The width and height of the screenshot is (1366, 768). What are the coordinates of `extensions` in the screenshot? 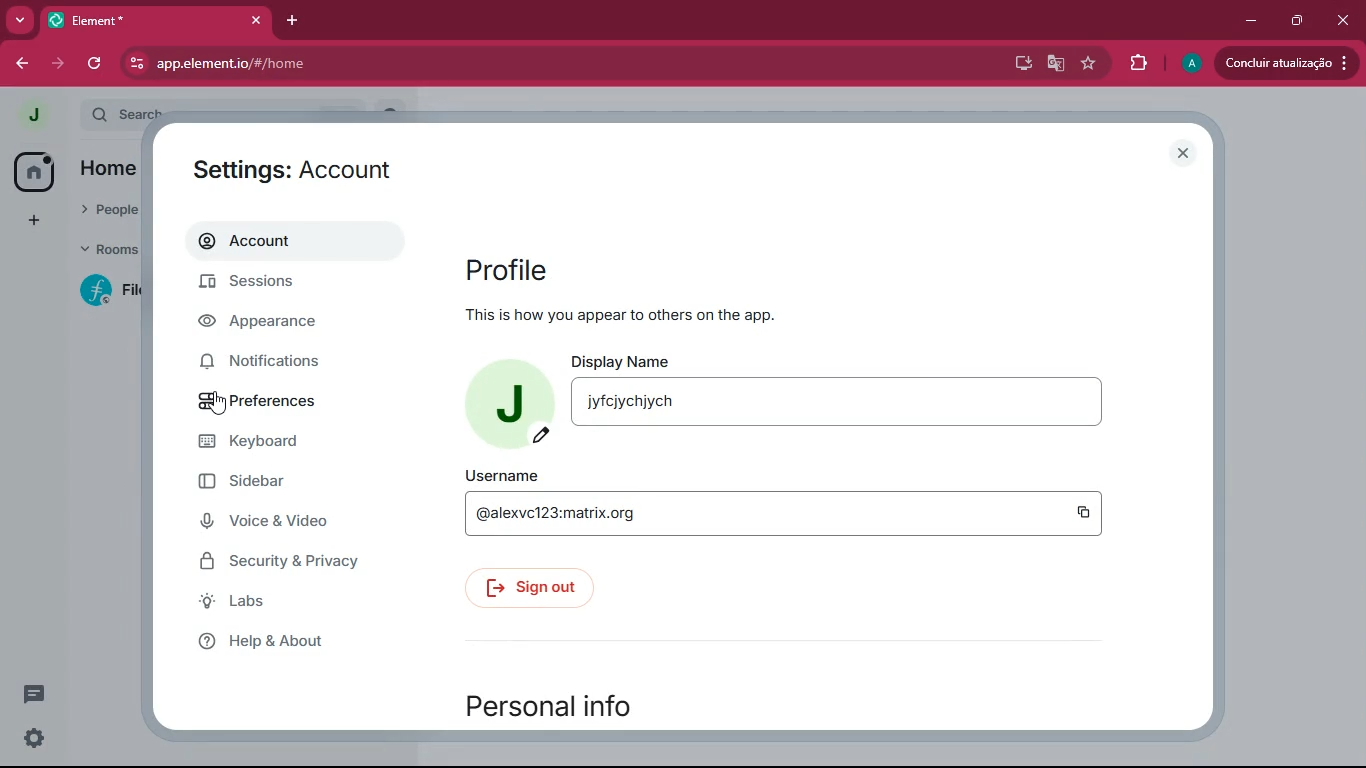 It's located at (1138, 63).